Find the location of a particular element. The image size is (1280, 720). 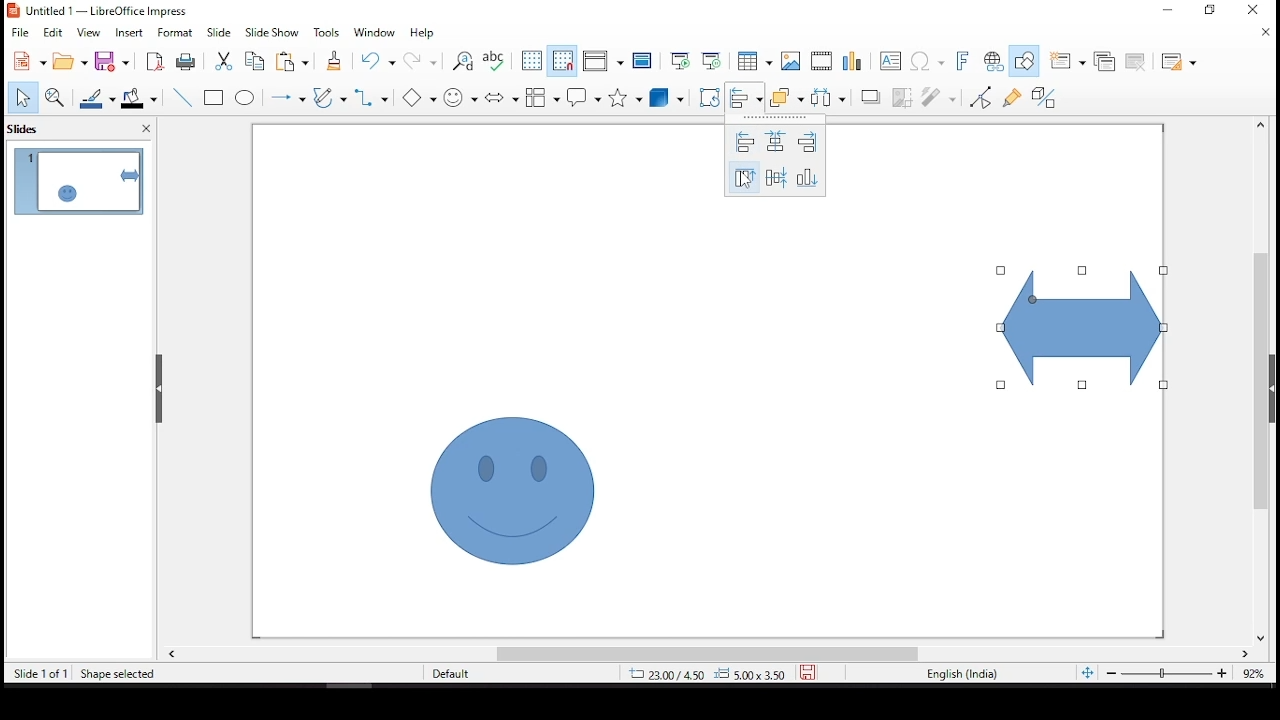

cut is located at coordinates (221, 61).